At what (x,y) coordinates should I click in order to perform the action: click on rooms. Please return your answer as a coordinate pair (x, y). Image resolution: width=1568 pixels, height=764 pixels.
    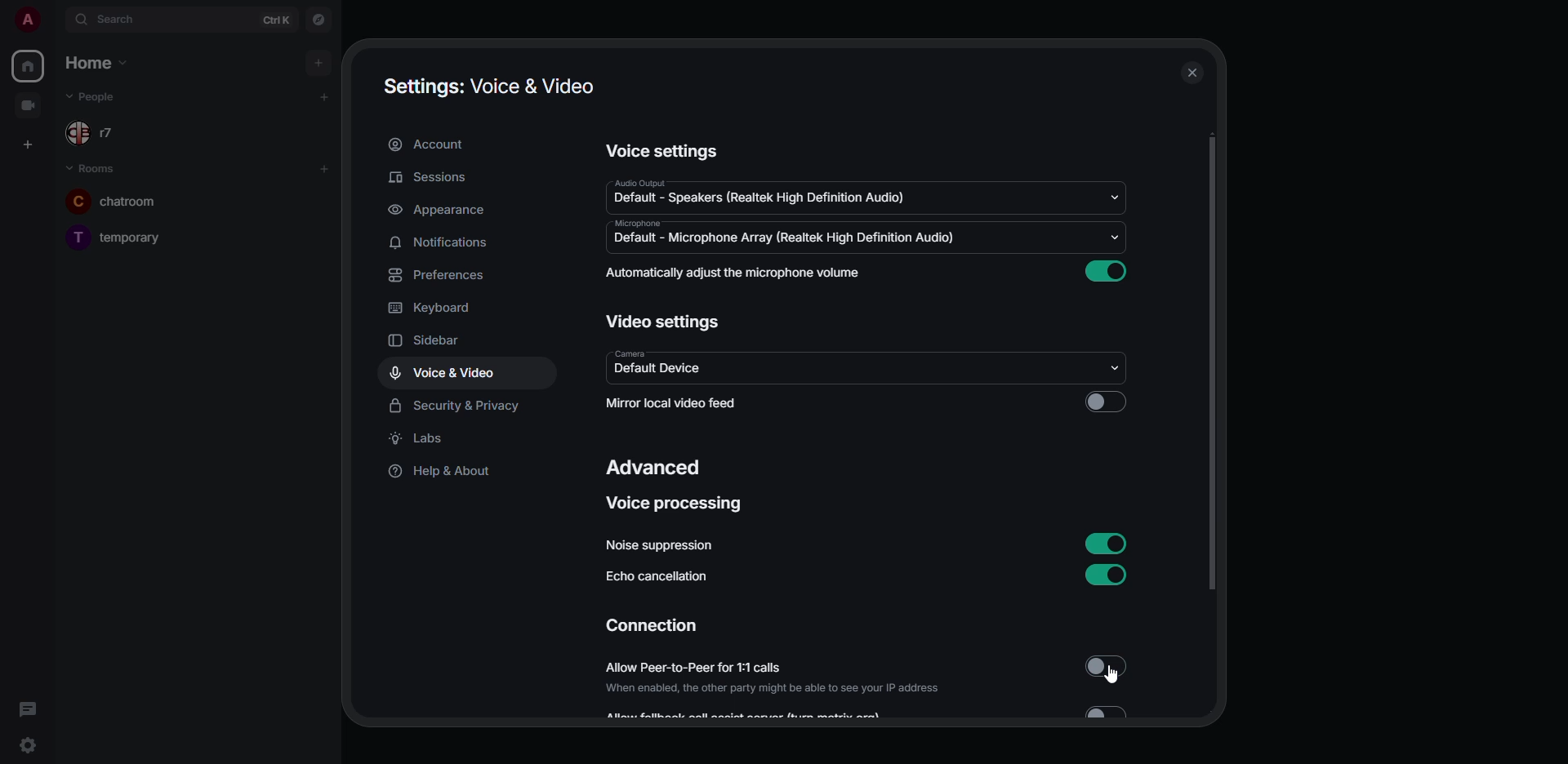
    Looking at the image, I should click on (96, 169).